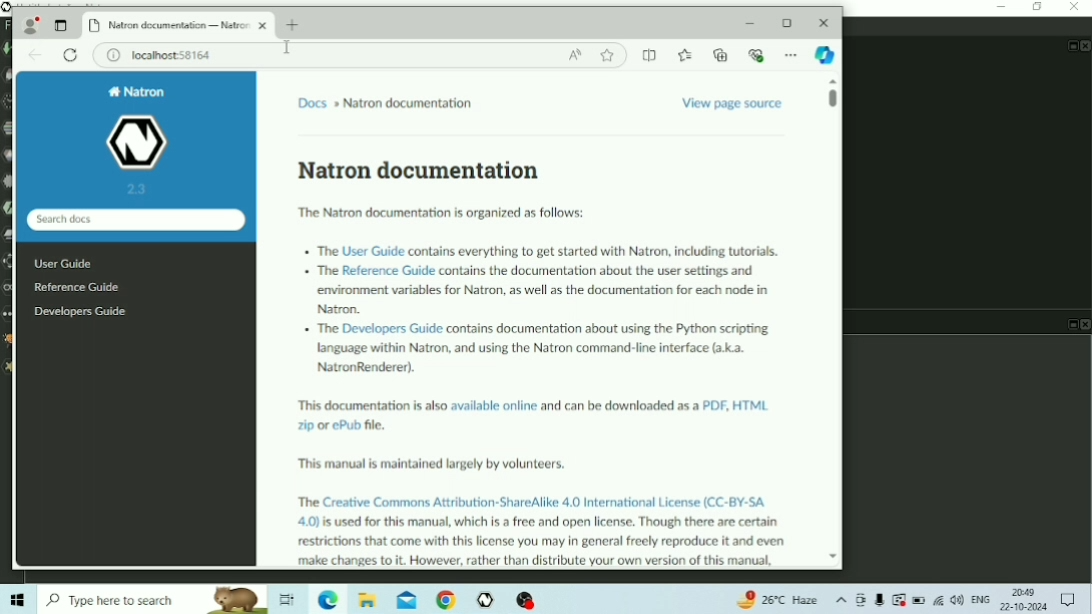 The height and width of the screenshot is (614, 1092). What do you see at coordinates (937, 600) in the screenshot?
I see `Internet` at bounding box center [937, 600].